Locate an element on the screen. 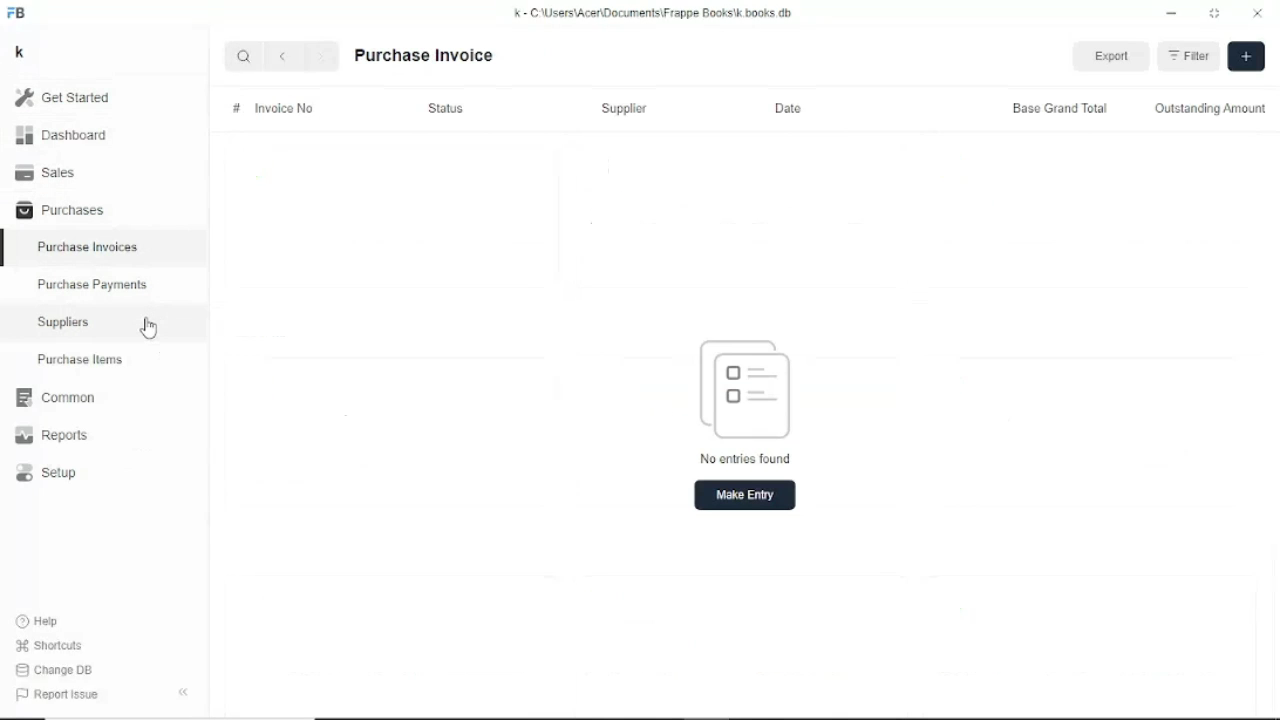 This screenshot has width=1280, height=720. Setup is located at coordinates (46, 473).